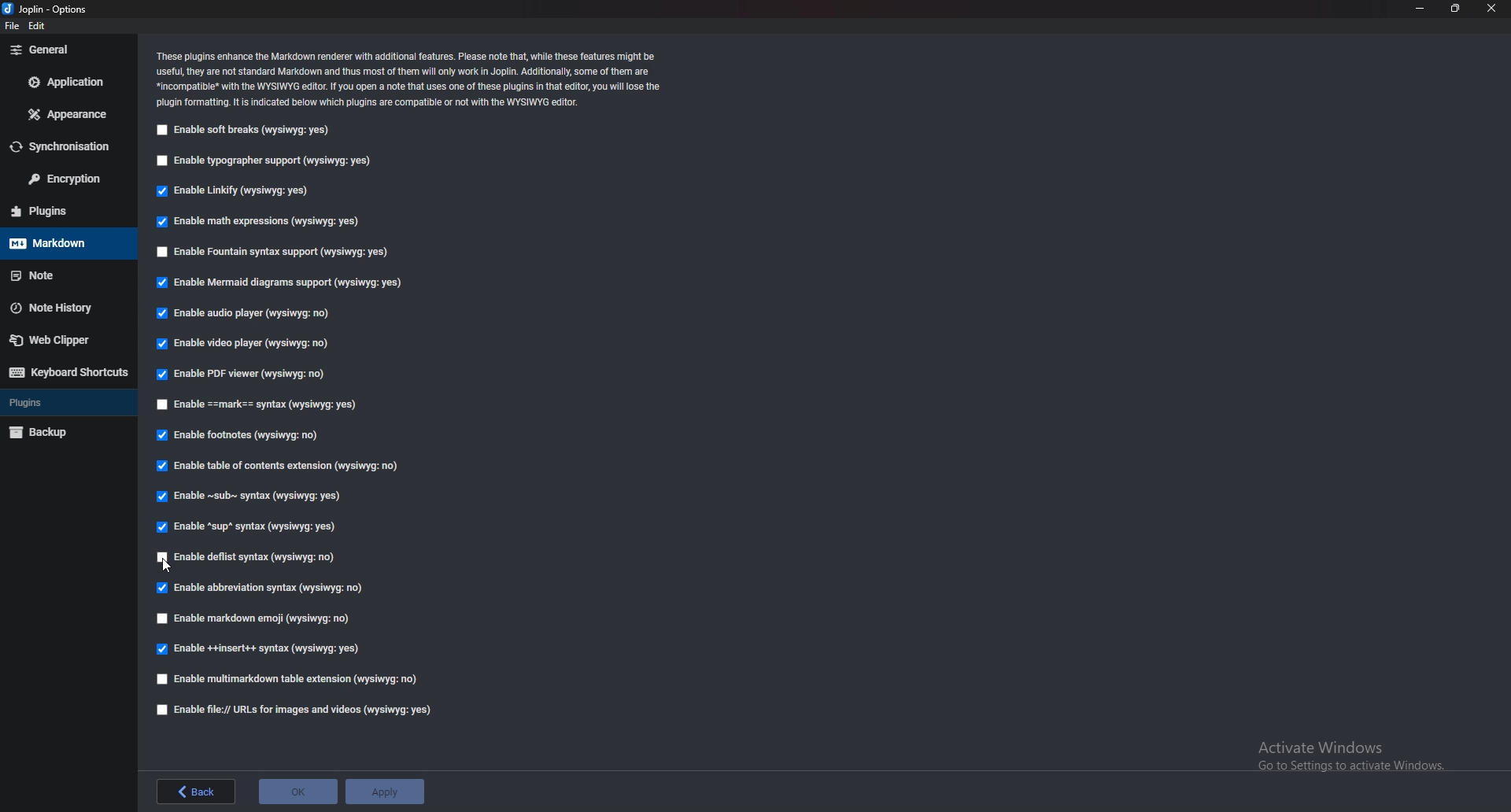 Image resolution: width=1511 pixels, height=812 pixels. What do you see at coordinates (63, 243) in the screenshot?
I see `markdown` at bounding box center [63, 243].